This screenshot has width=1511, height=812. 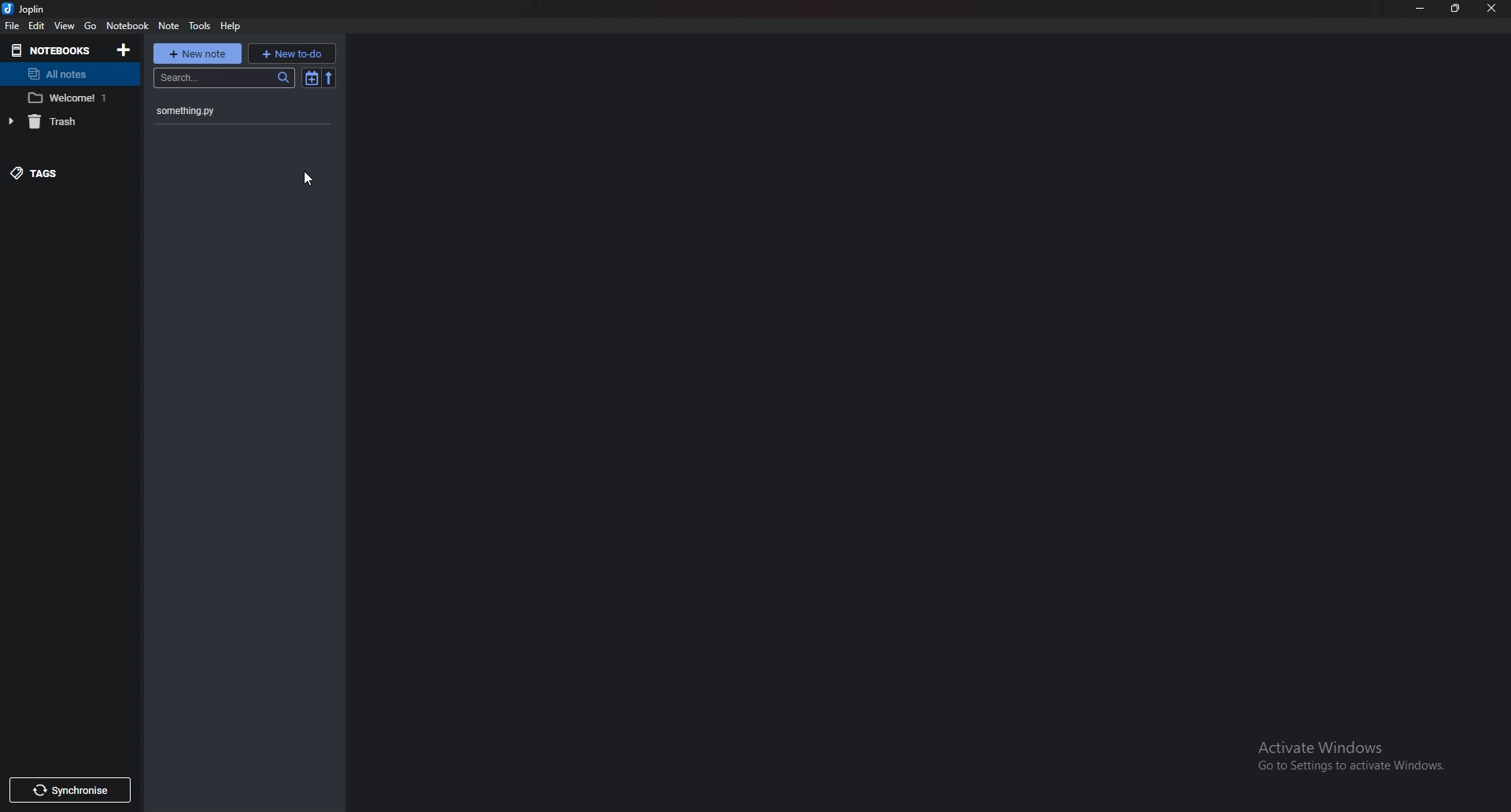 What do you see at coordinates (68, 74) in the screenshot?
I see `All notes` at bounding box center [68, 74].